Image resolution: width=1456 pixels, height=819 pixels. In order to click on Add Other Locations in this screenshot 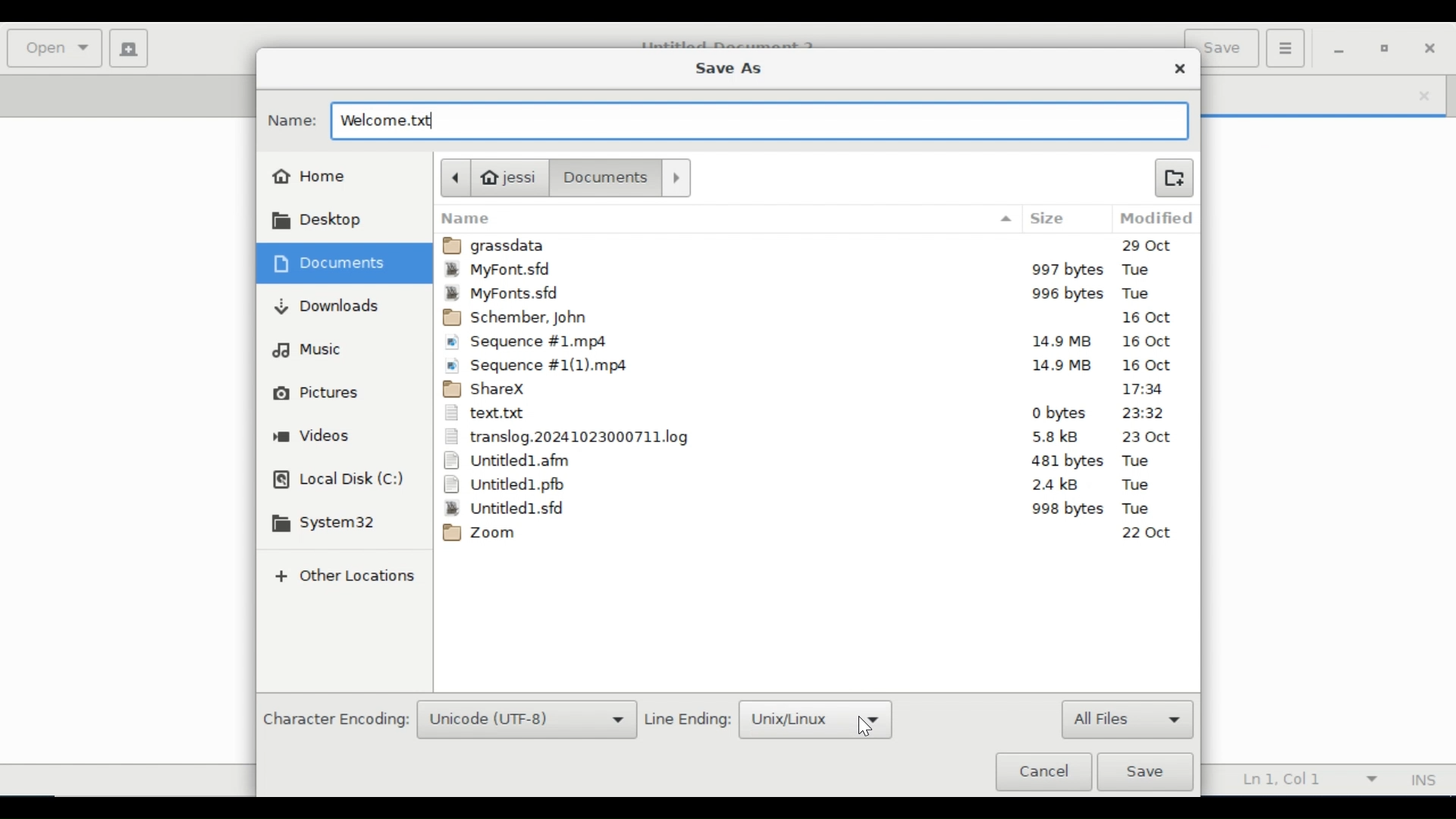, I will do `click(347, 576)`.